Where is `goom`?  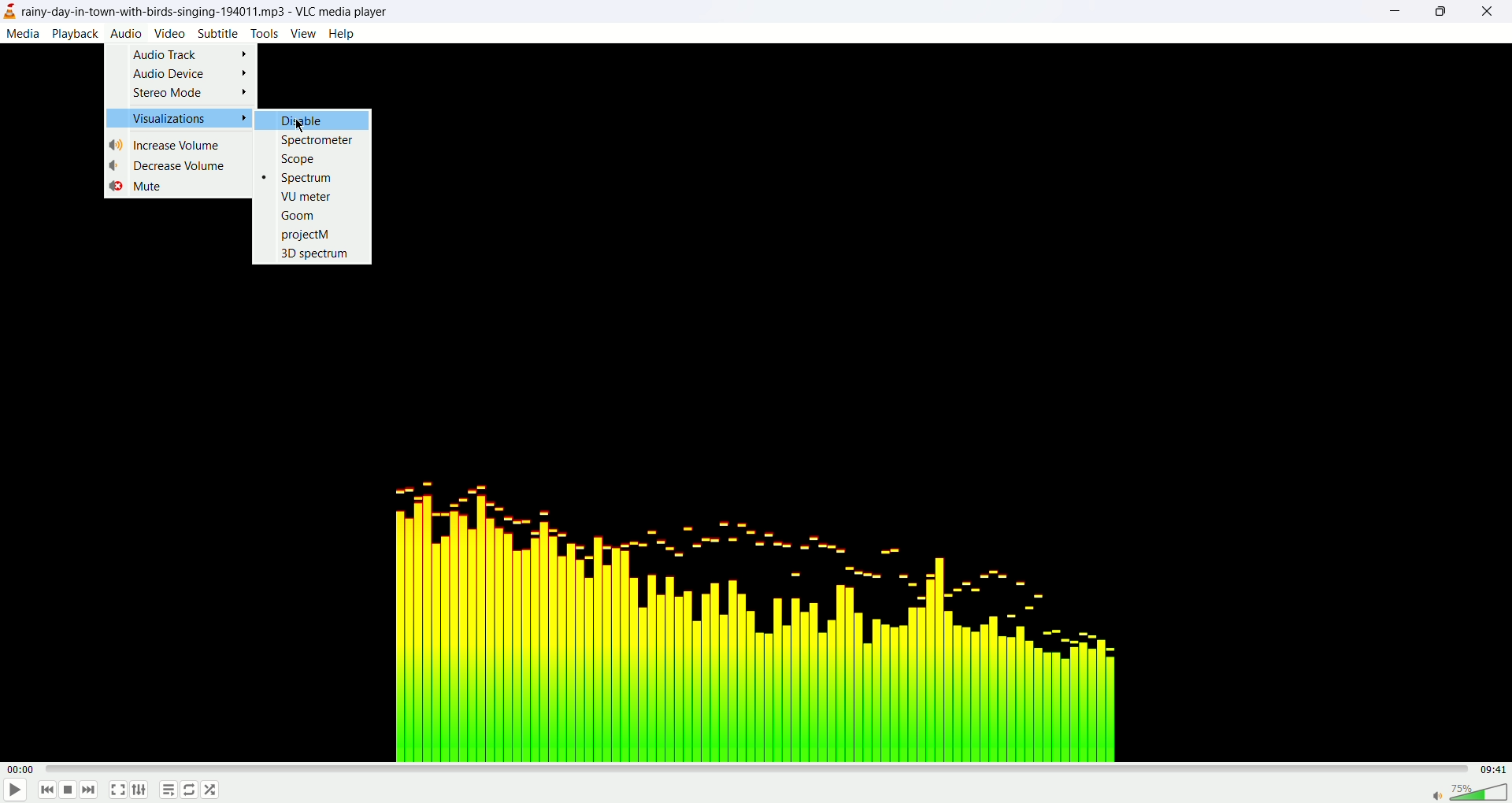
goom is located at coordinates (298, 215).